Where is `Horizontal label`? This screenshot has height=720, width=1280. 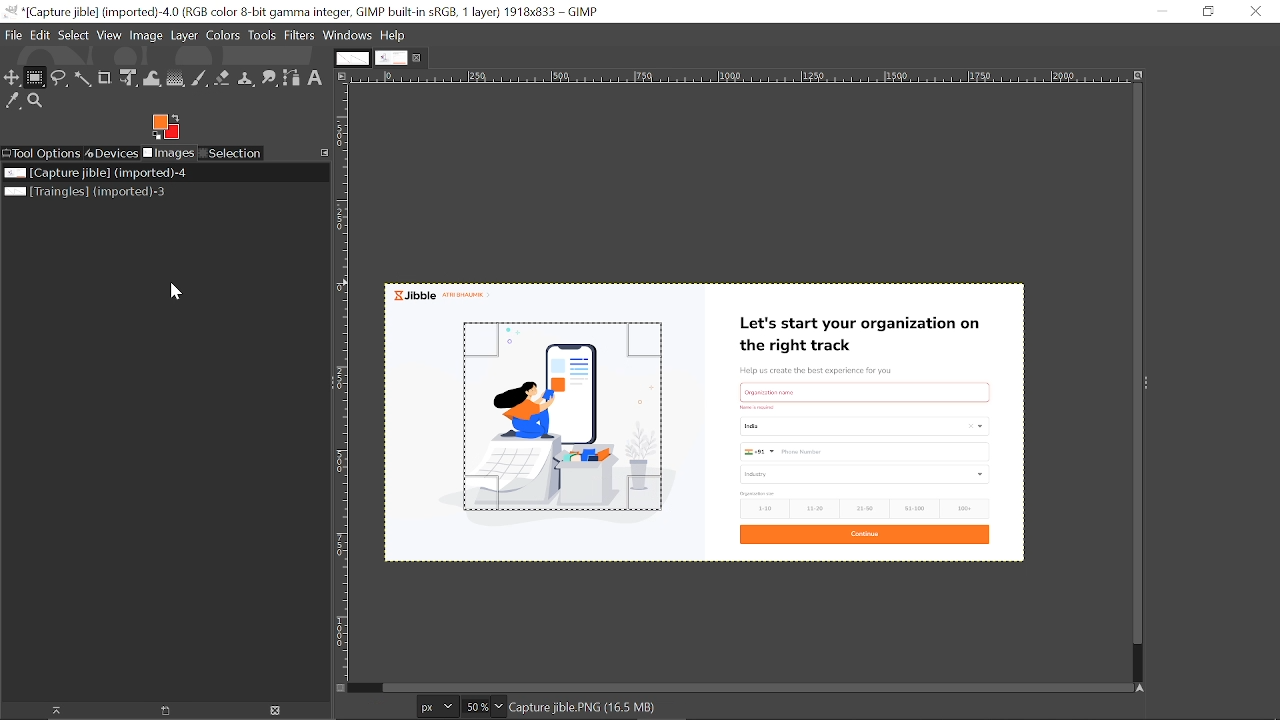
Horizontal label is located at coordinates (647, 77).